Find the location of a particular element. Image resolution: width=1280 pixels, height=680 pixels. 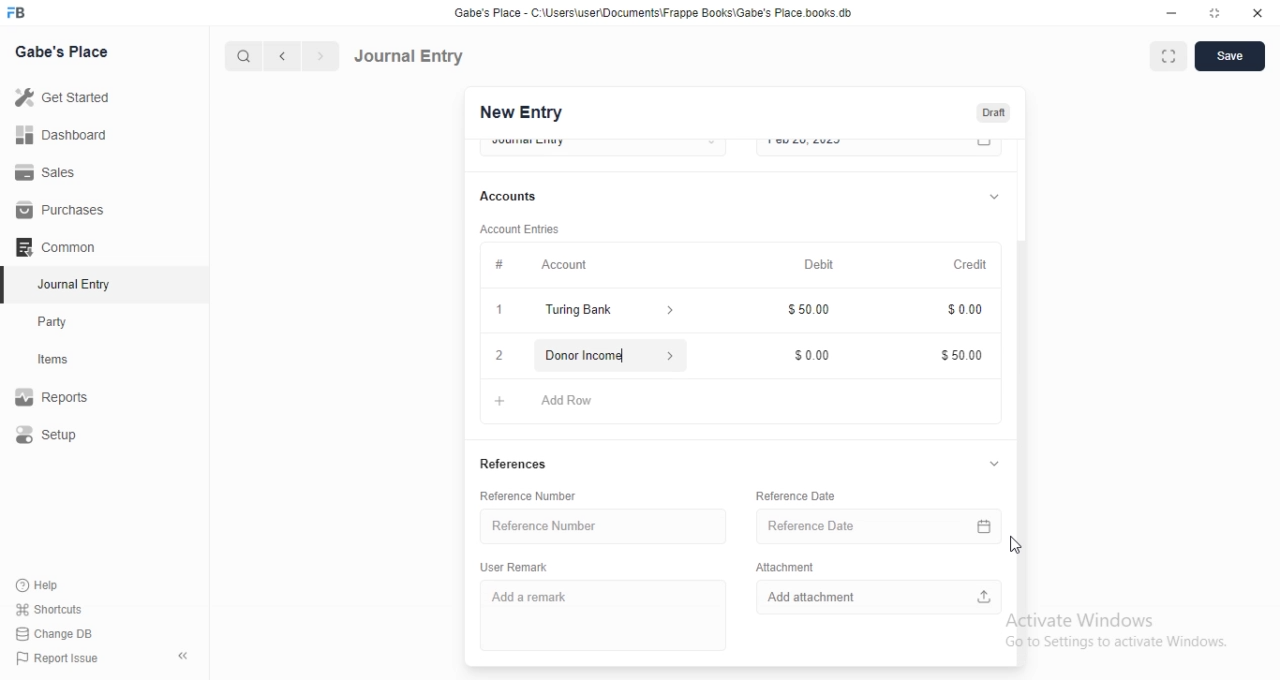

$5000 is located at coordinates (962, 356).